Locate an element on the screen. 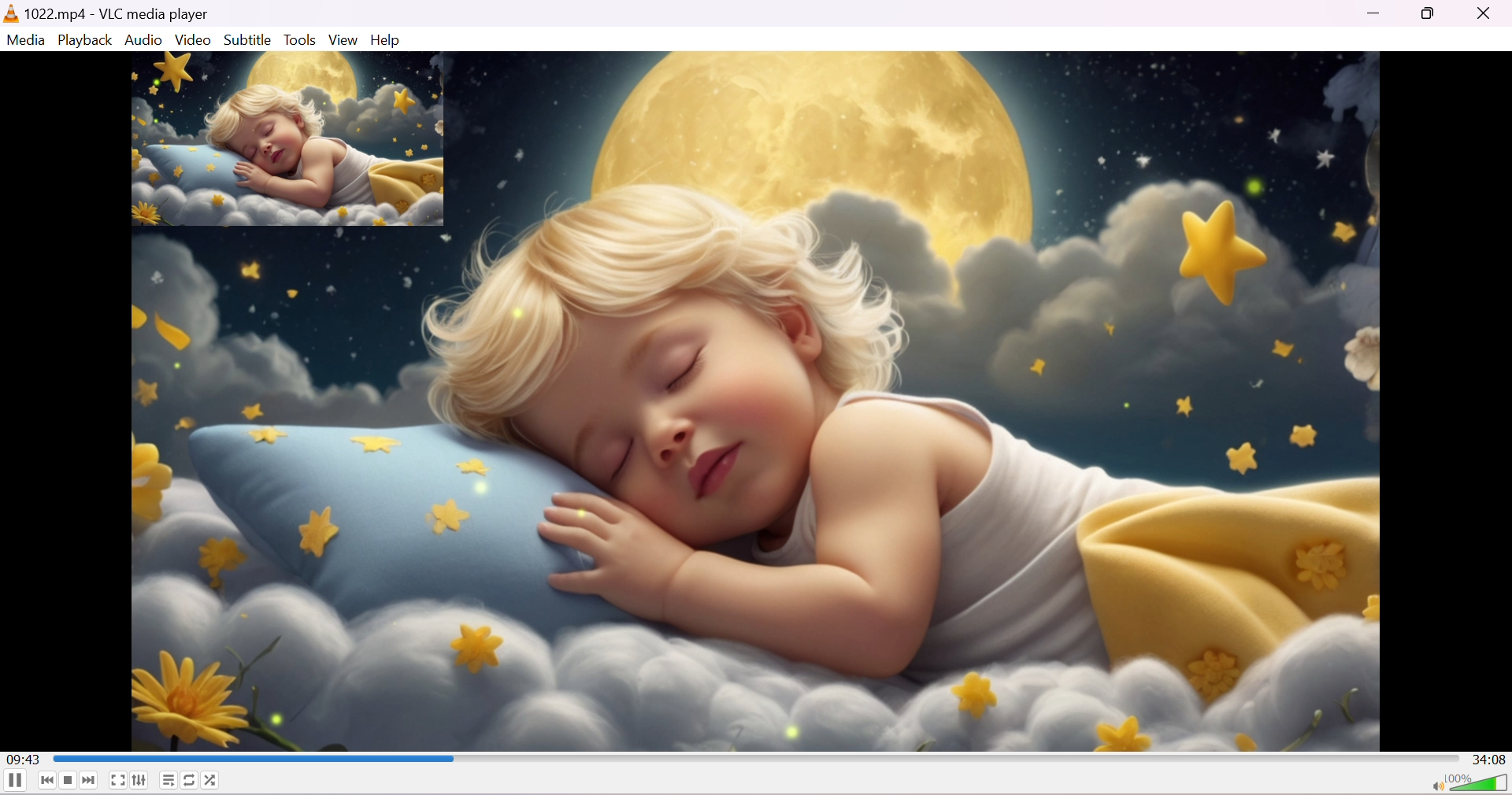 The height and width of the screenshot is (795, 1512). Random is located at coordinates (215, 780).